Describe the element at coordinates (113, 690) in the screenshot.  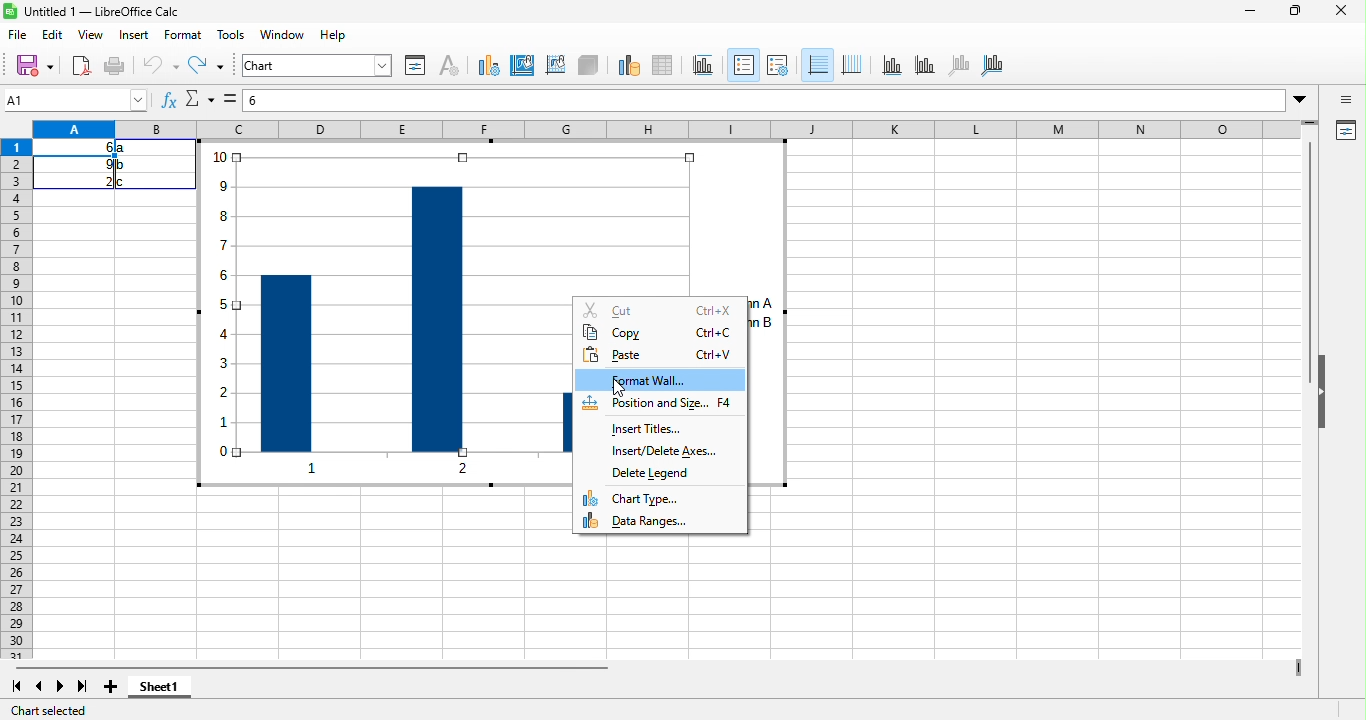
I see `new sheet` at that location.